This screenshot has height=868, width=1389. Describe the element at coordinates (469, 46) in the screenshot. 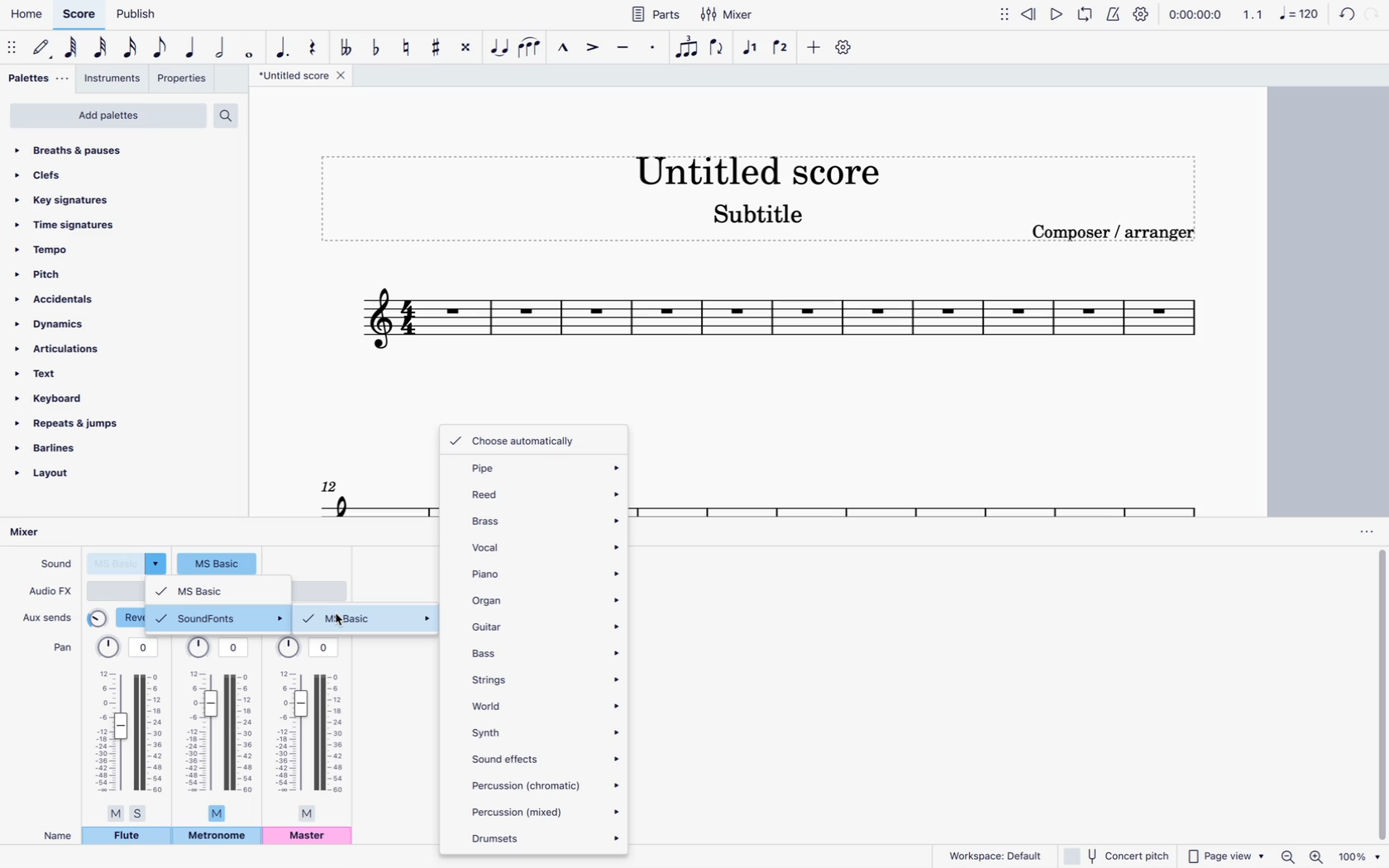

I see `toggle double sharp` at that location.